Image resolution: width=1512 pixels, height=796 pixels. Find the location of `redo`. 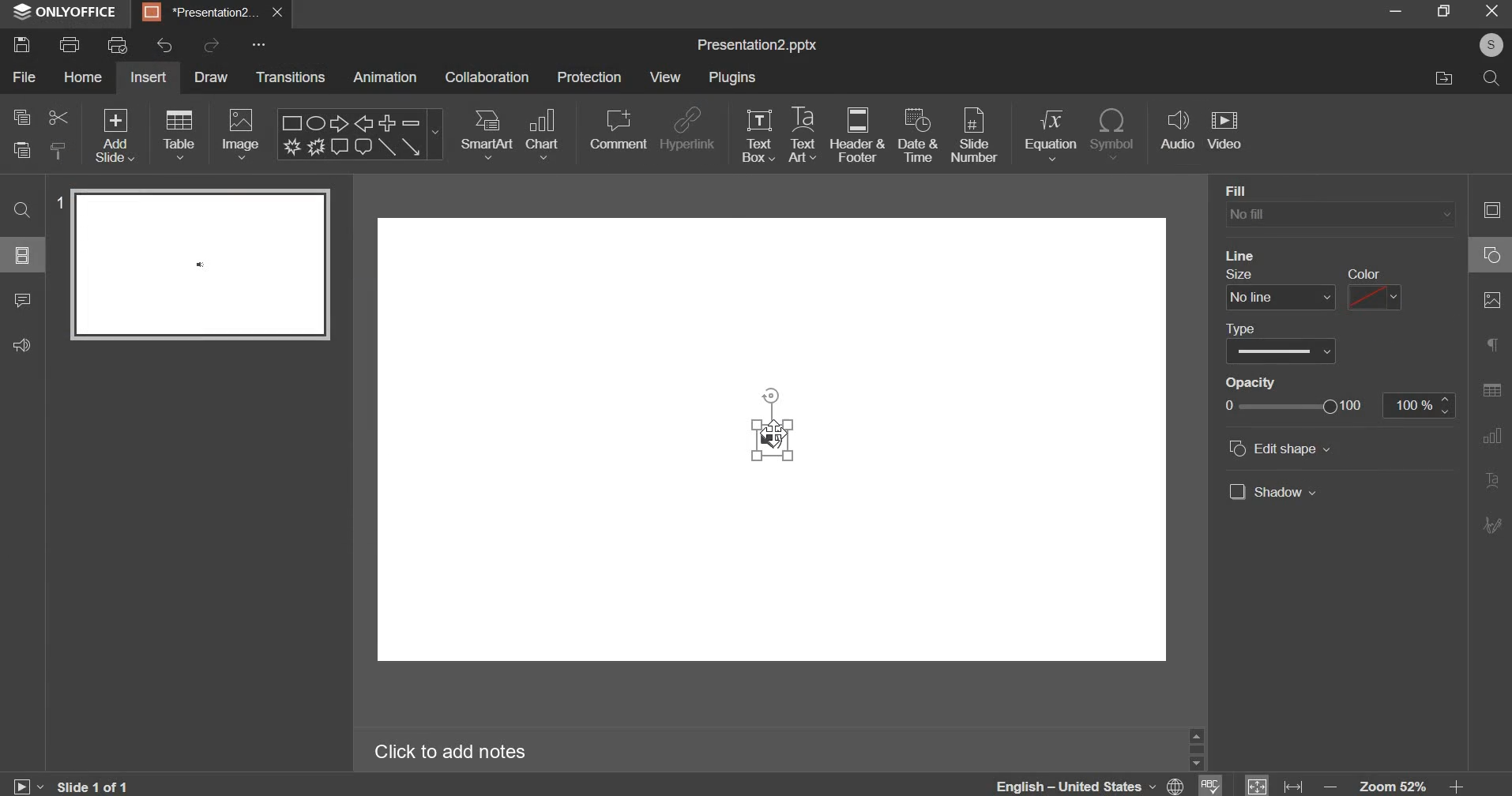

redo is located at coordinates (213, 45).